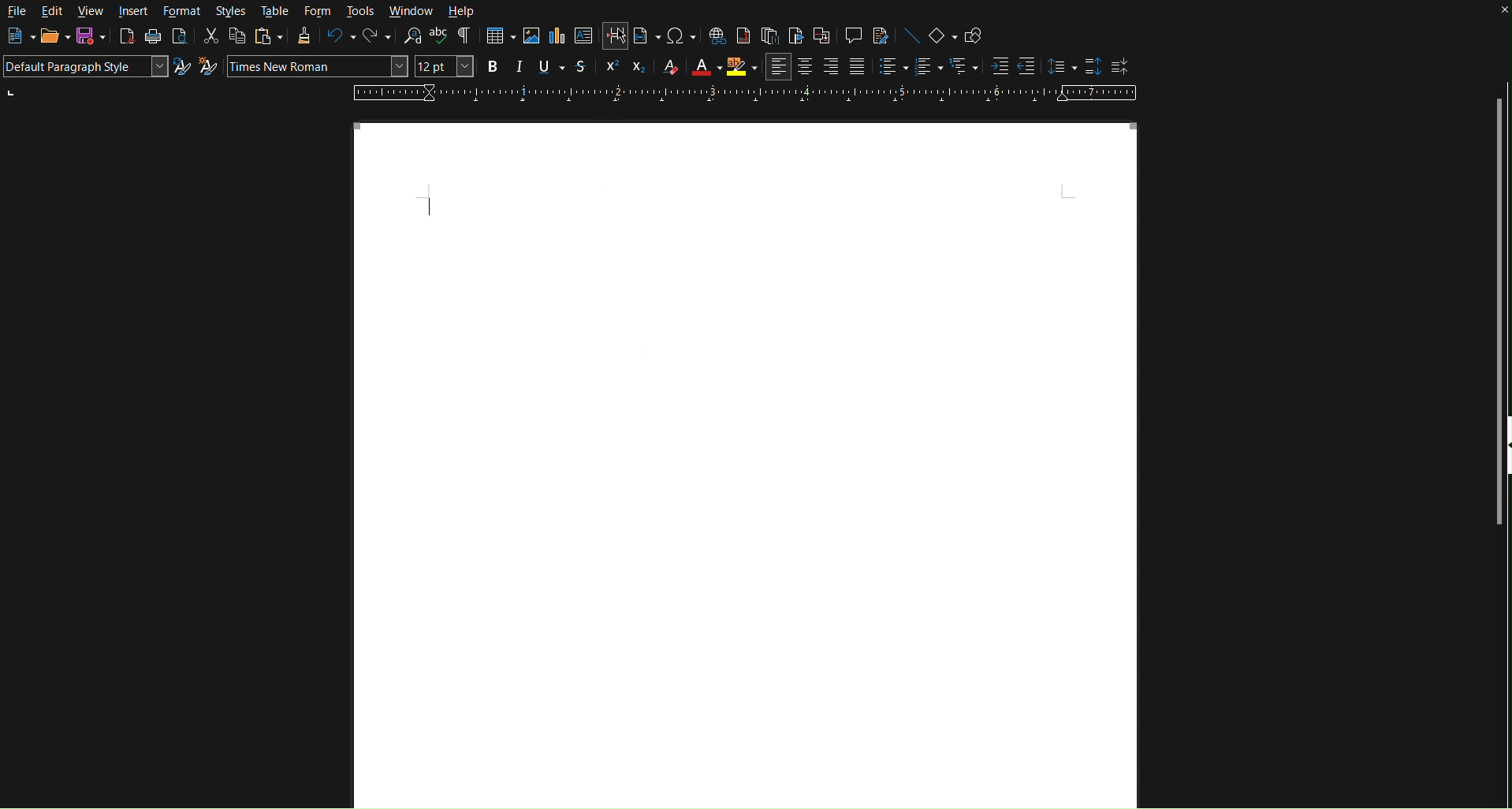 Image resolution: width=1512 pixels, height=809 pixels. Describe the element at coordinates (666, 68) in the screenshot. I see `Remove Formatting` at that location.